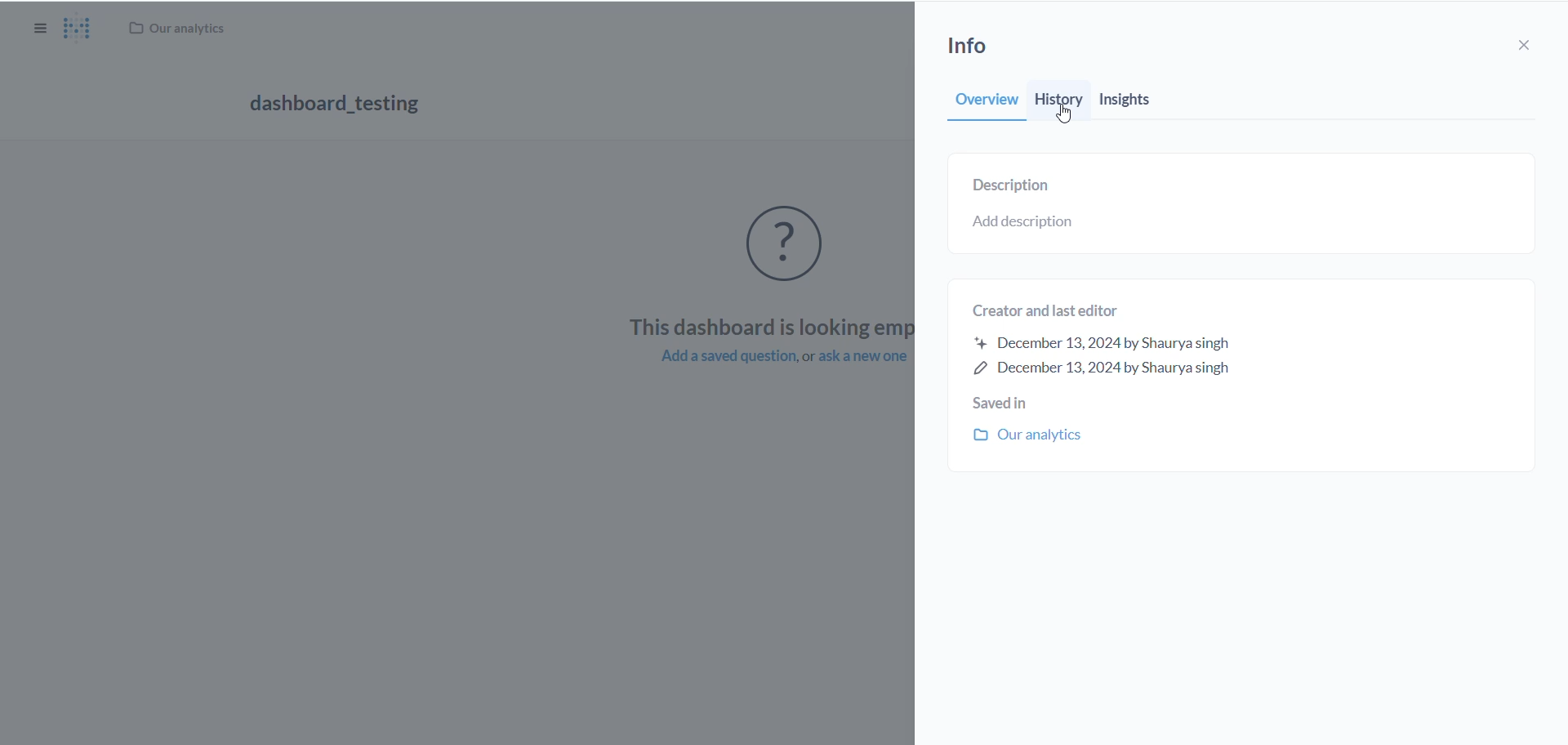  Describe the element at coordinates (1057, 122) in the screenshot. I see `cursor` at that location.